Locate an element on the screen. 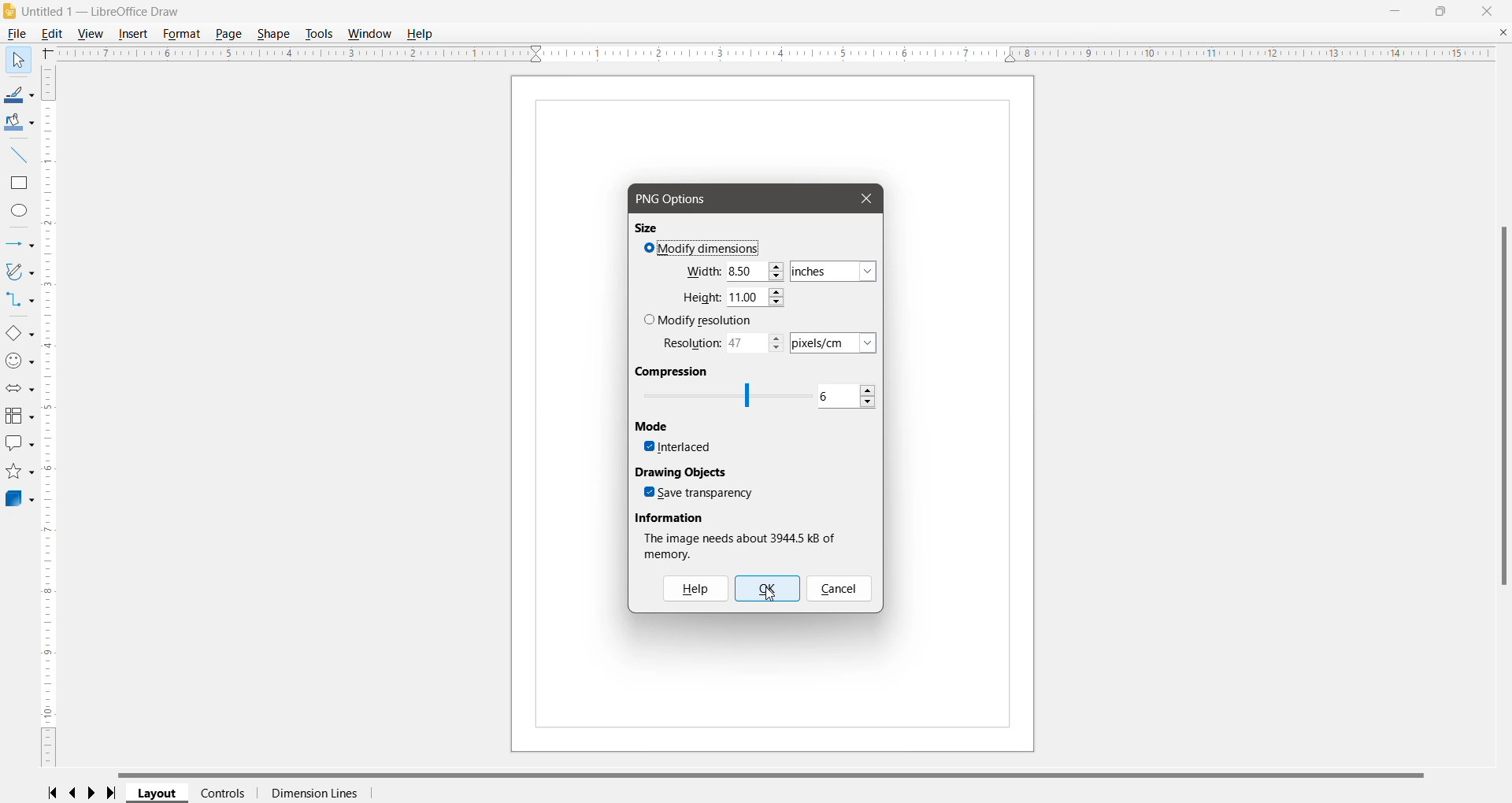 The image size is (1512, 803). Document Title - Application Name is located at coordinates (106, 12).